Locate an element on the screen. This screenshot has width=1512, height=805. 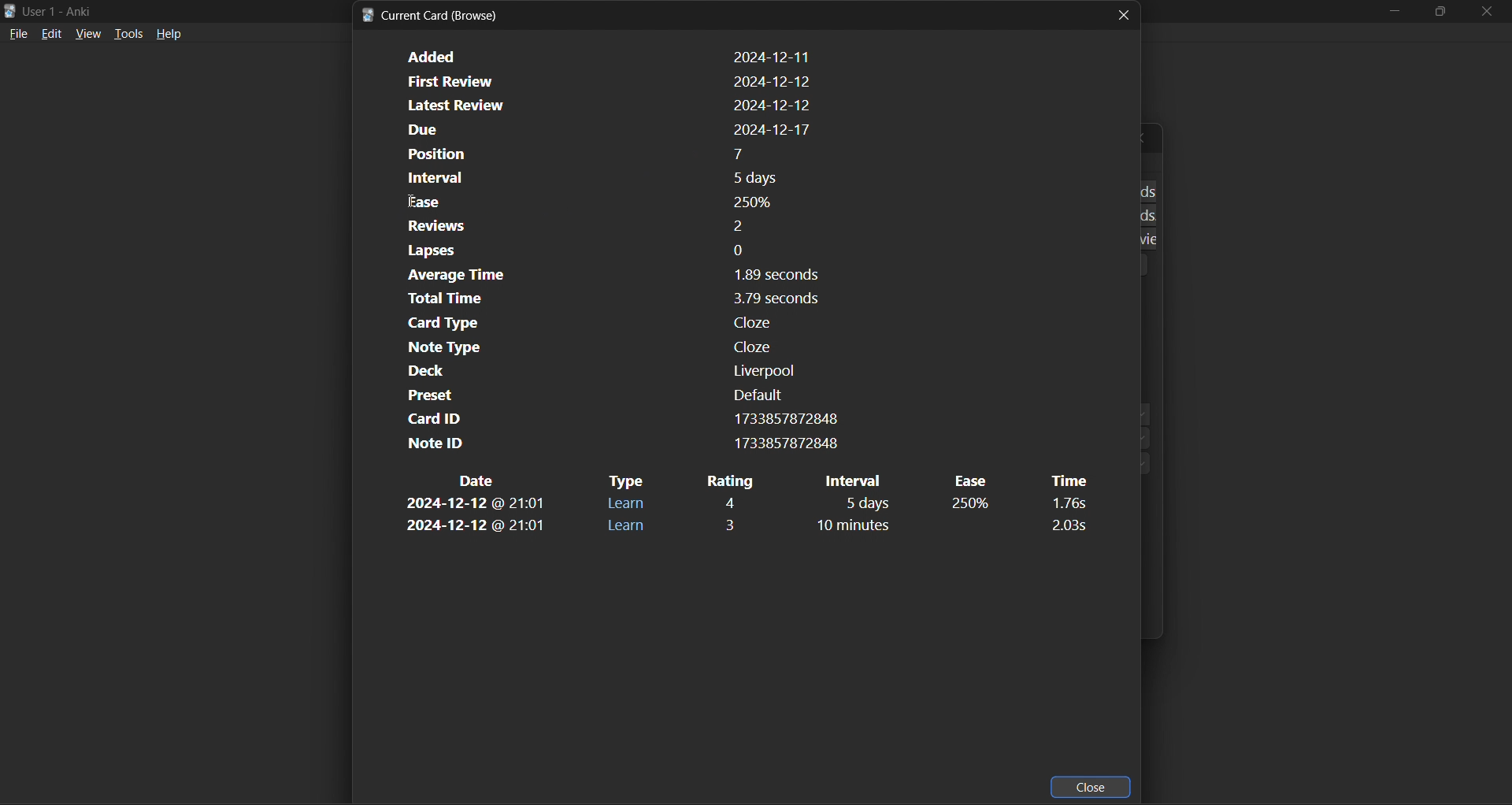
rating is located at coordinates (735, 523).